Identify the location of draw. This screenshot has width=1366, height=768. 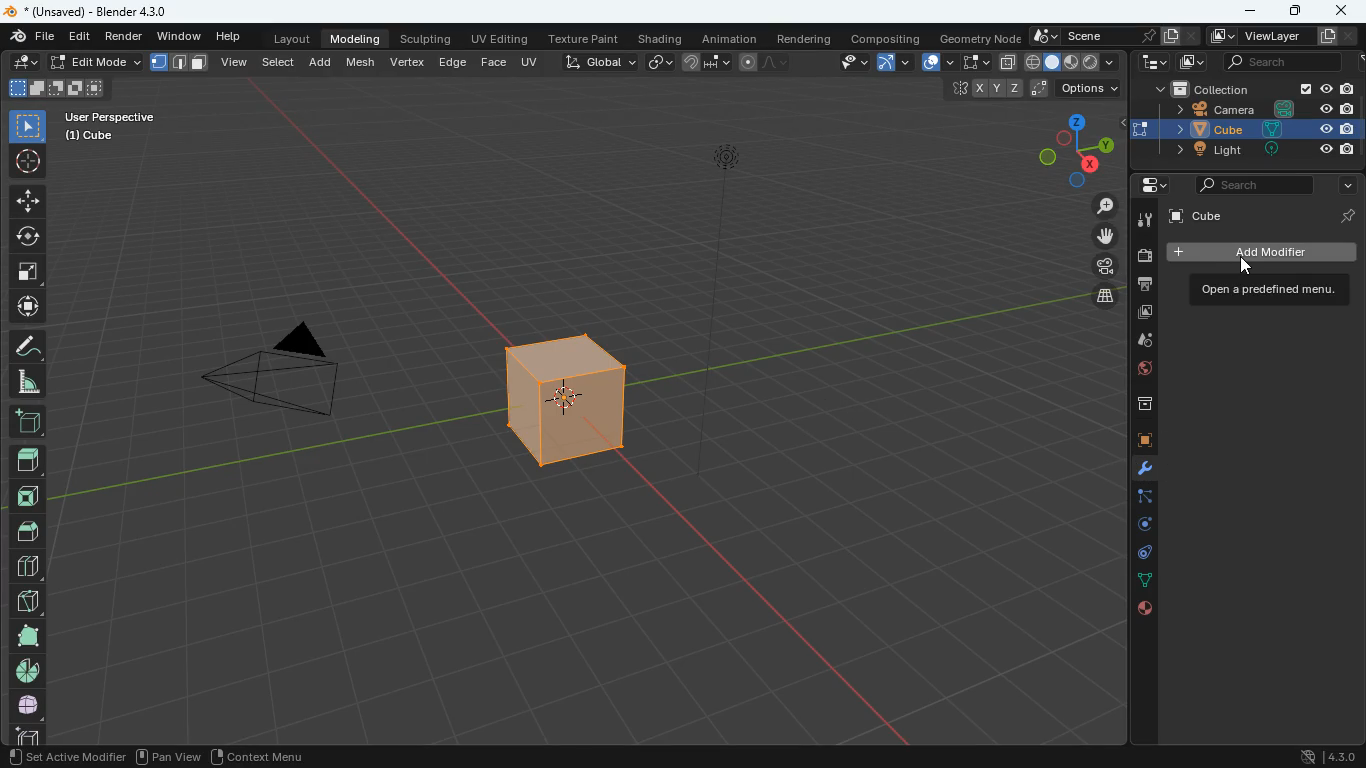
(26, 345).